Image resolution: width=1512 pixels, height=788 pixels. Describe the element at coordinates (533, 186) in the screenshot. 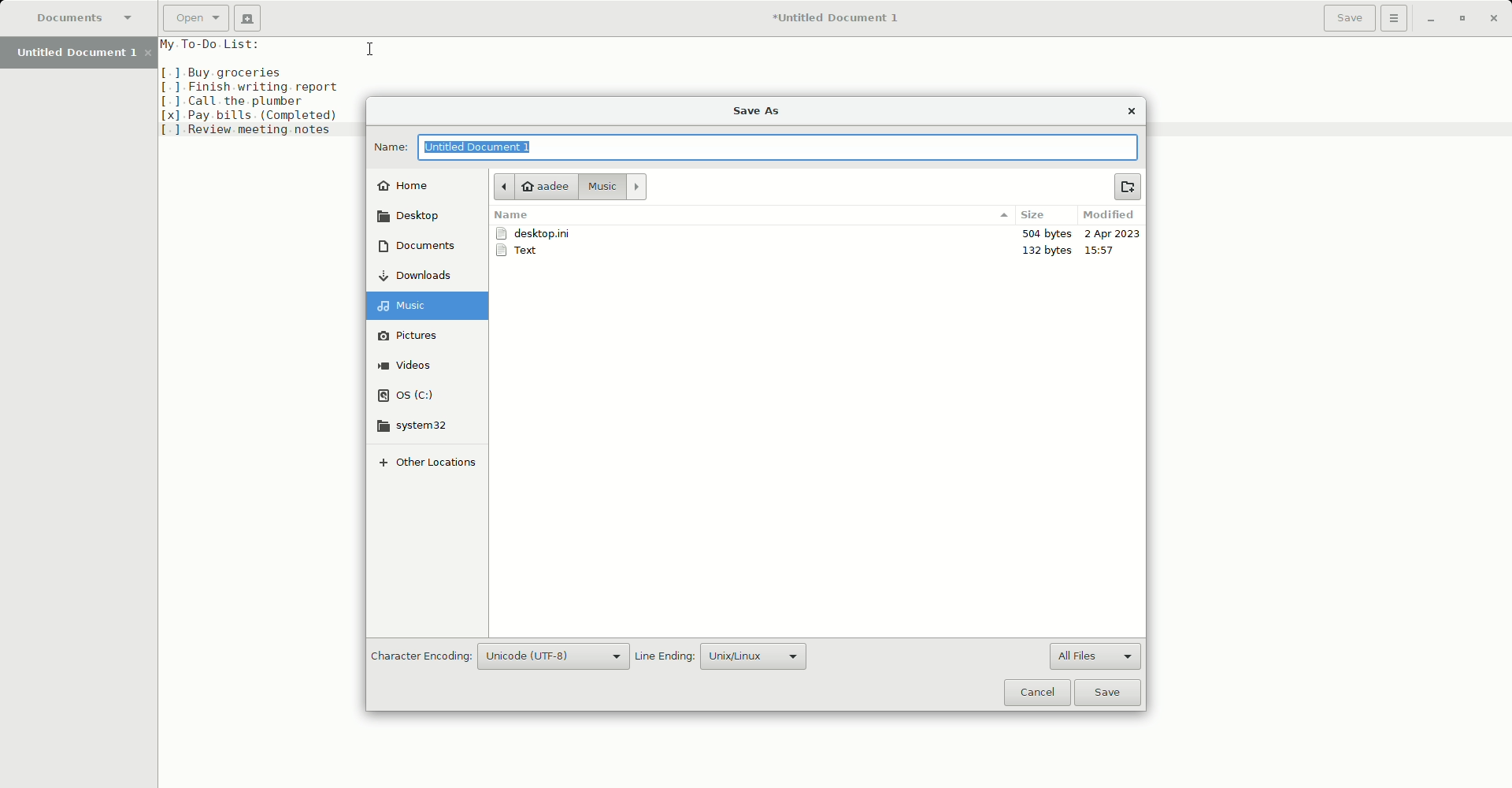

I see `aadee` at that location.